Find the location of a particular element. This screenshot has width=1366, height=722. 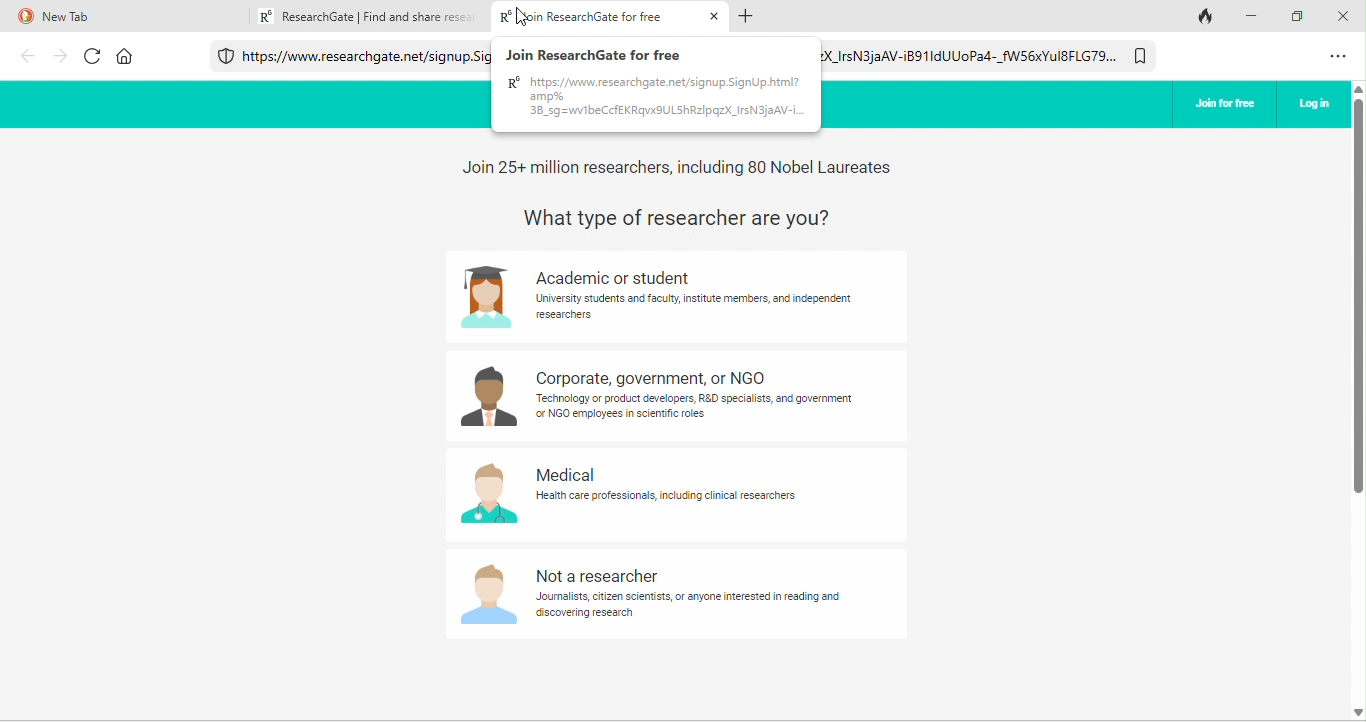

© https://www.researchgate.net/signup.Si is located at coordinates (366, 58).